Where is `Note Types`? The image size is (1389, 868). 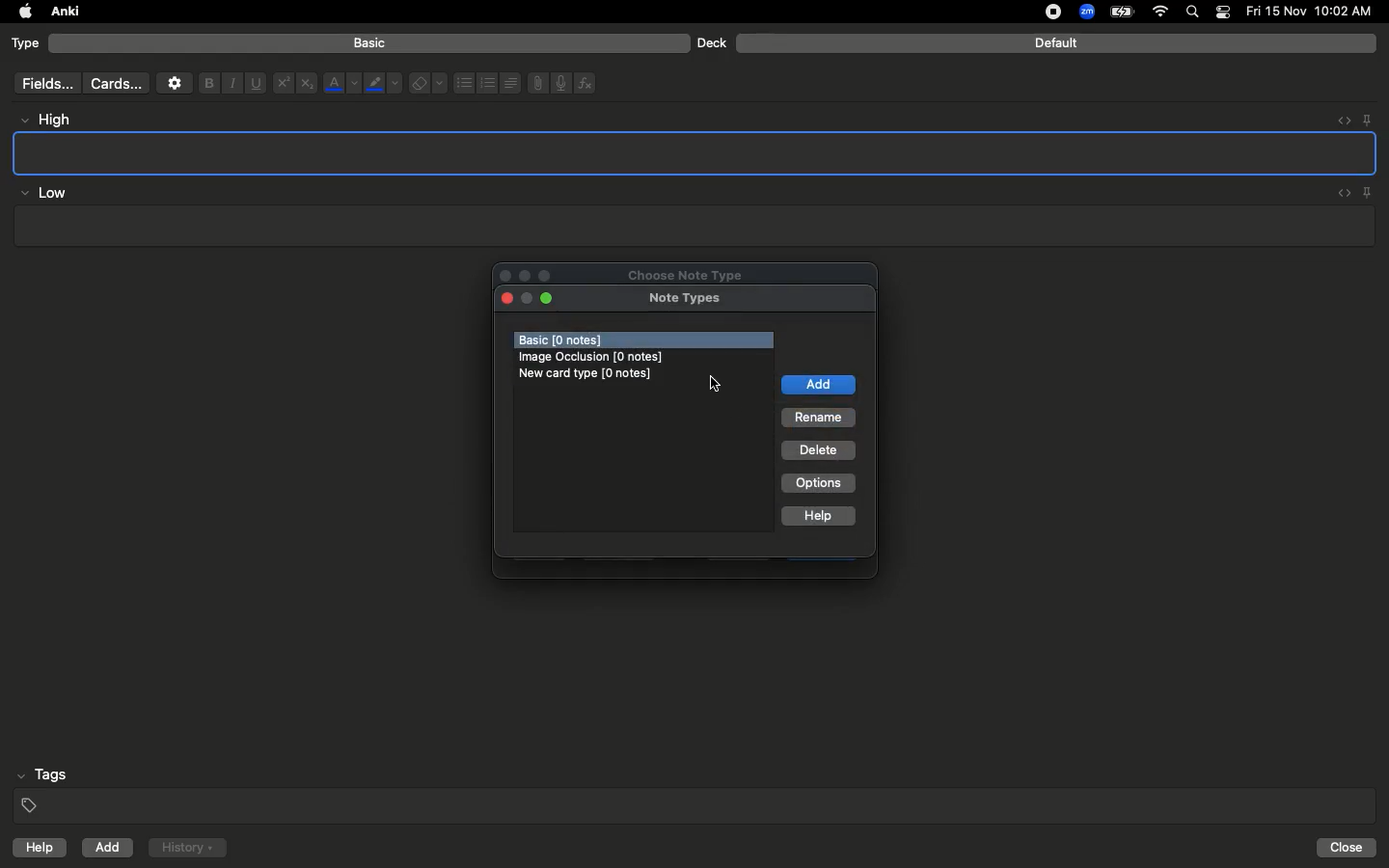 Note Types is located at coordinates (685, 300).